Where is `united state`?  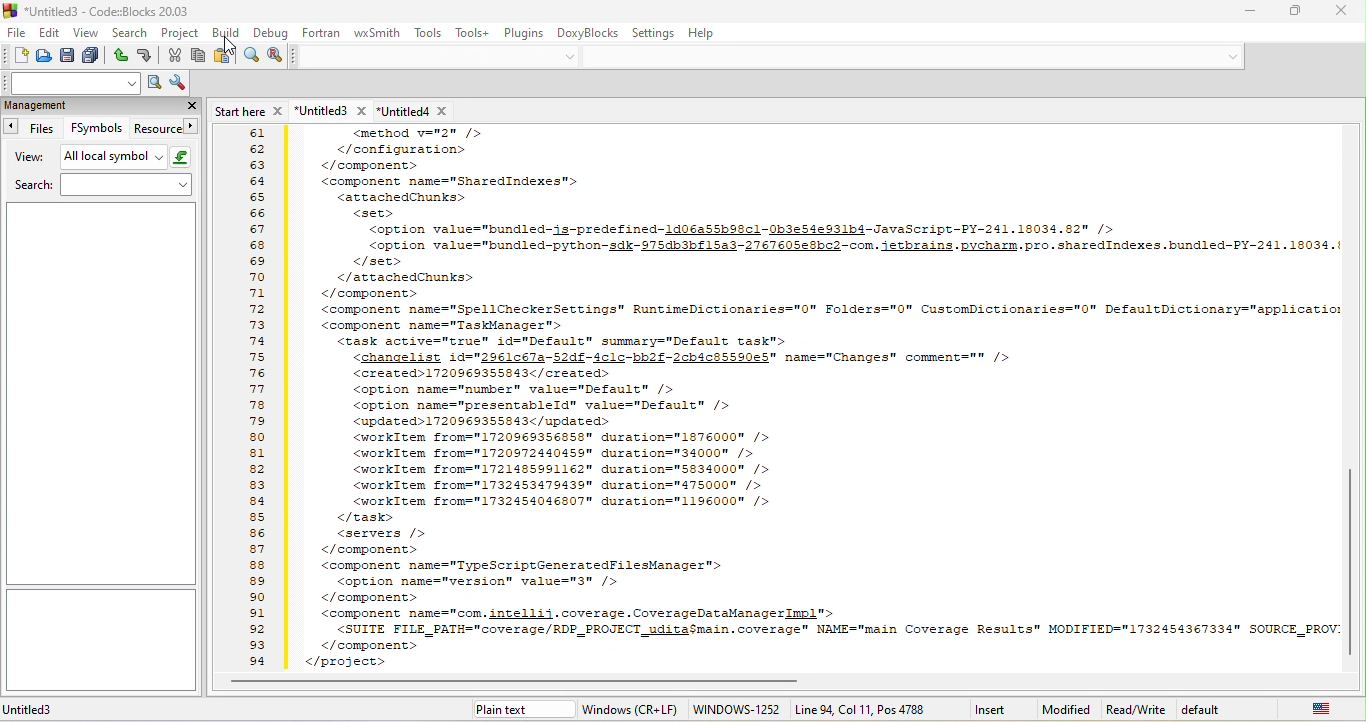 united state is located at coordinates (1326, 708).